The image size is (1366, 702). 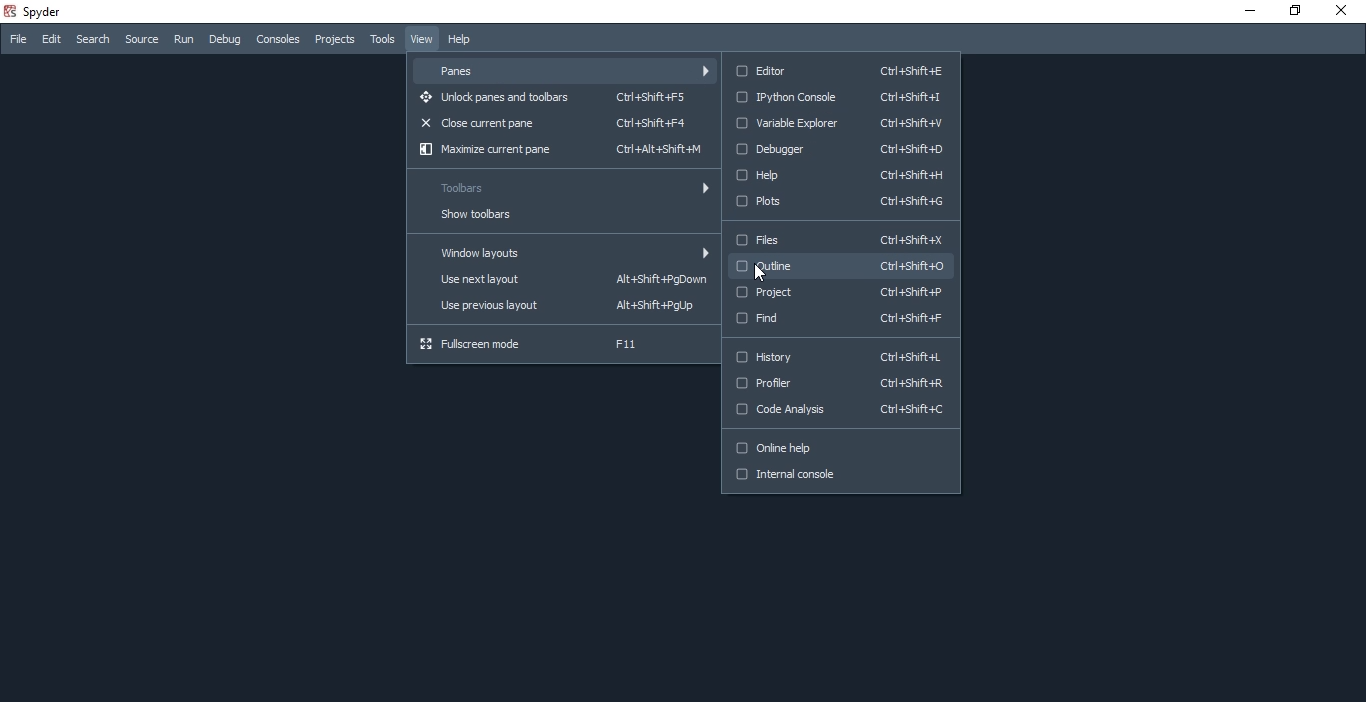 I want to click on Projects, so click(x=335, y=38).